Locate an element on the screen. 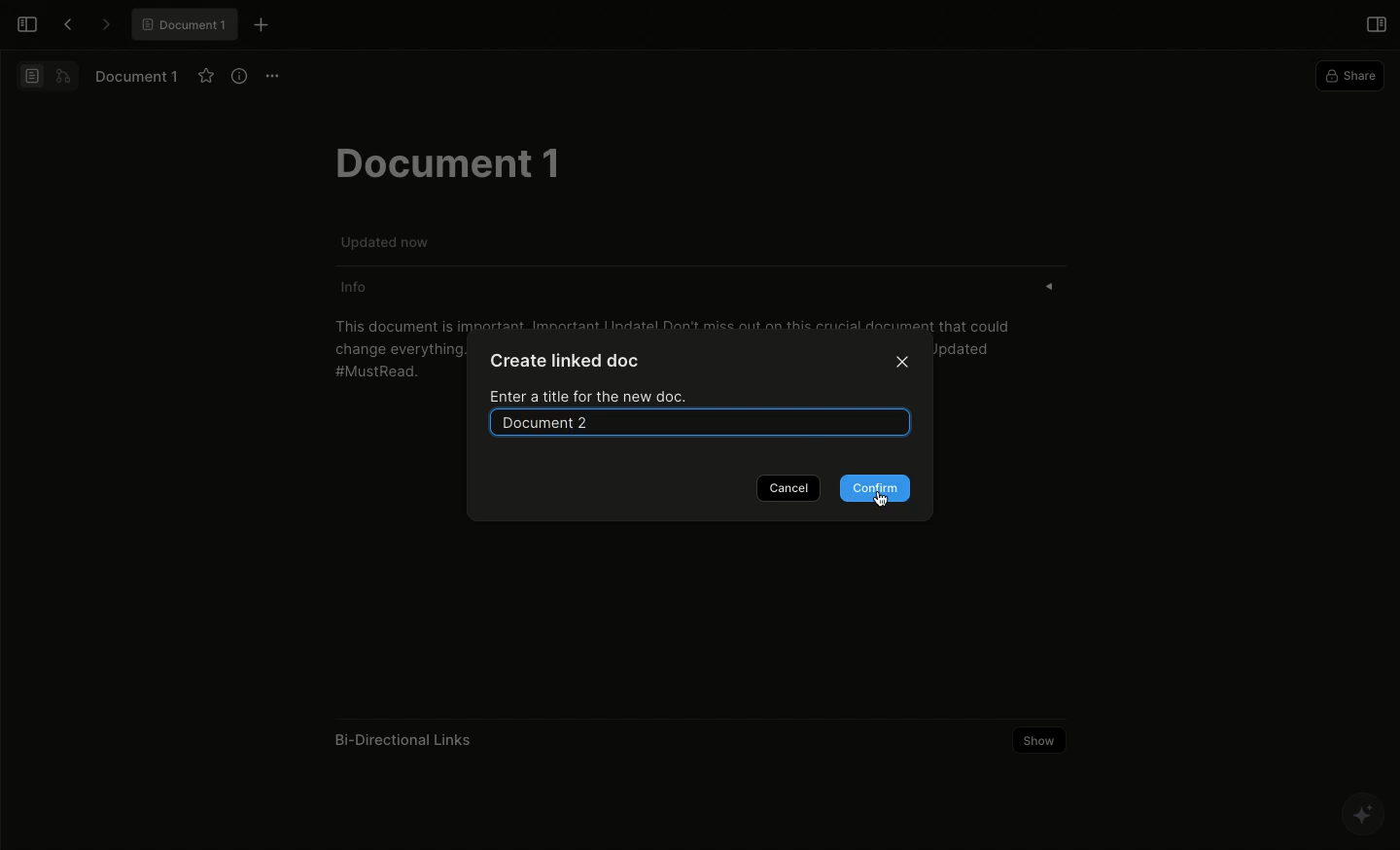 The width and height of the screenshot is (1400, 850). Close is located at coordinates (903, 363).